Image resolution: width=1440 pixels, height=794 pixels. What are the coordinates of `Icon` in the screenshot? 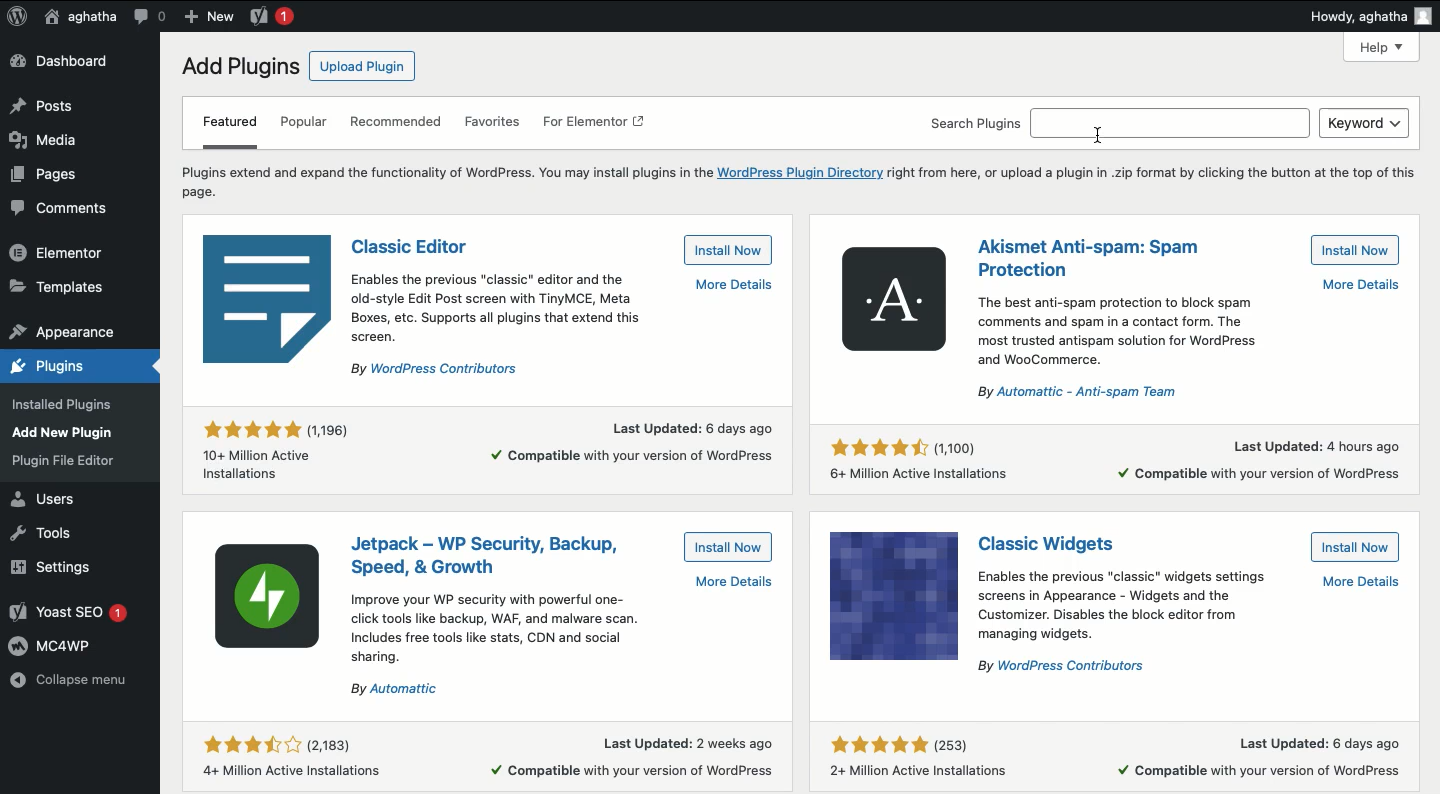 It's located at (269, 298).